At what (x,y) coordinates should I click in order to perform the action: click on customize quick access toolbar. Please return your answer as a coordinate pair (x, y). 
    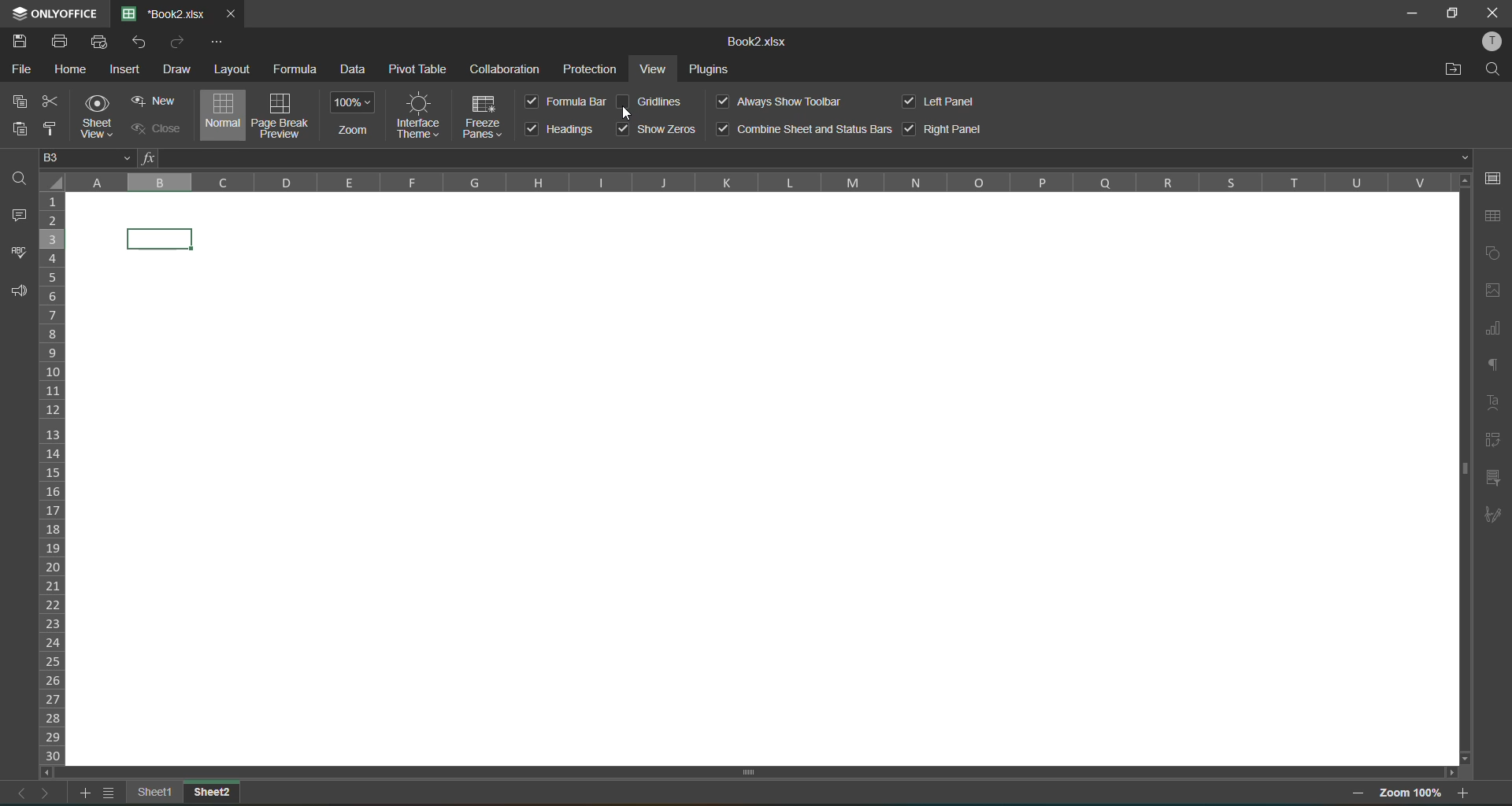
    Looking at the image, I should click on (218, 43).